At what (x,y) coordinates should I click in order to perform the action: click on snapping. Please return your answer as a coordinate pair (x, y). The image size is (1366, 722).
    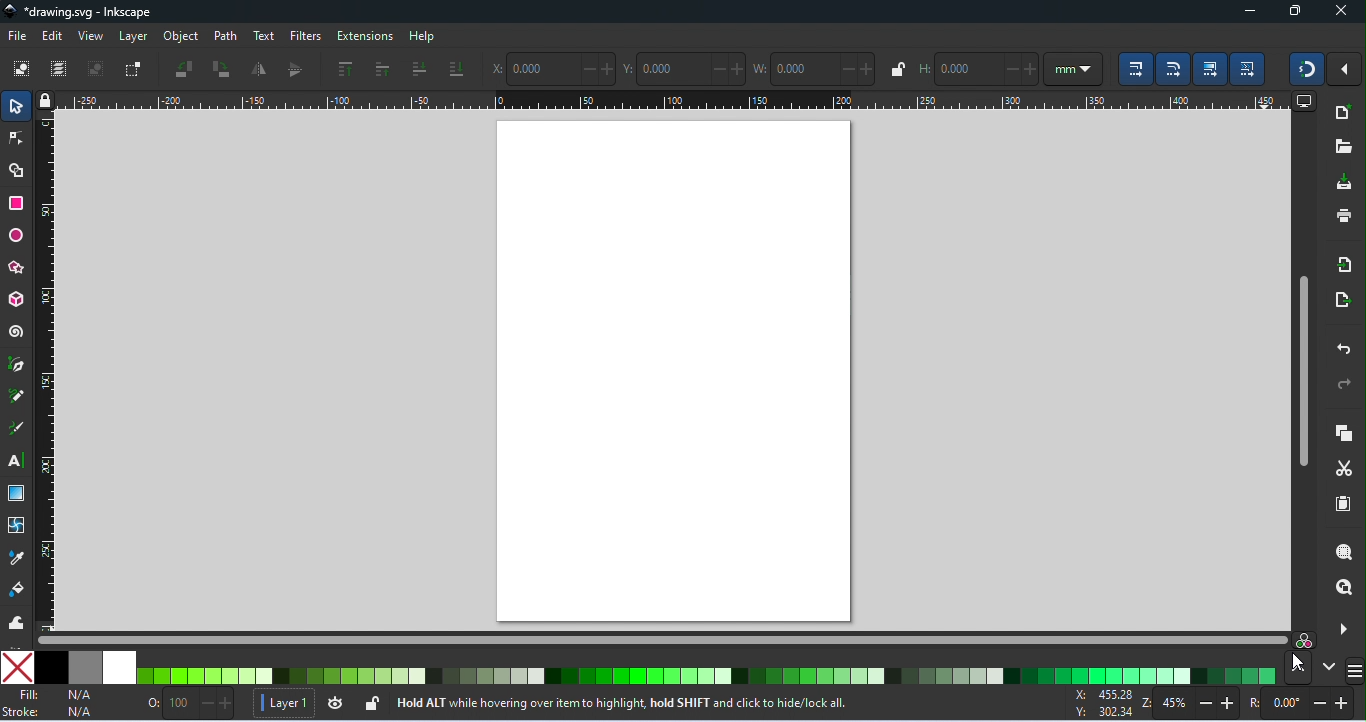
    Looking at the image, I should click on (1308, 69).